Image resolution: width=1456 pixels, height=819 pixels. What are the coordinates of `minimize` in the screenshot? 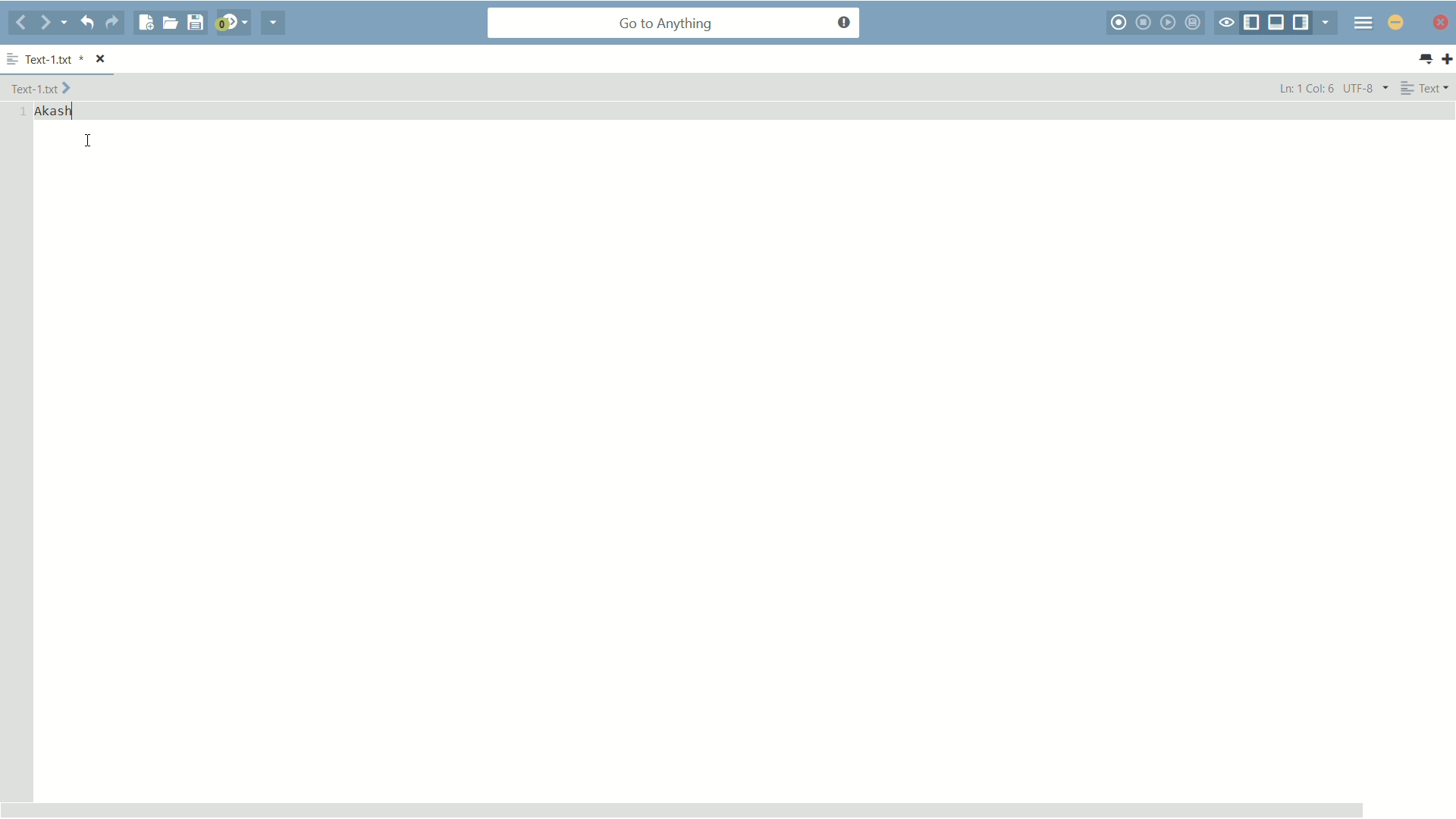 It's located at (1395, 24).